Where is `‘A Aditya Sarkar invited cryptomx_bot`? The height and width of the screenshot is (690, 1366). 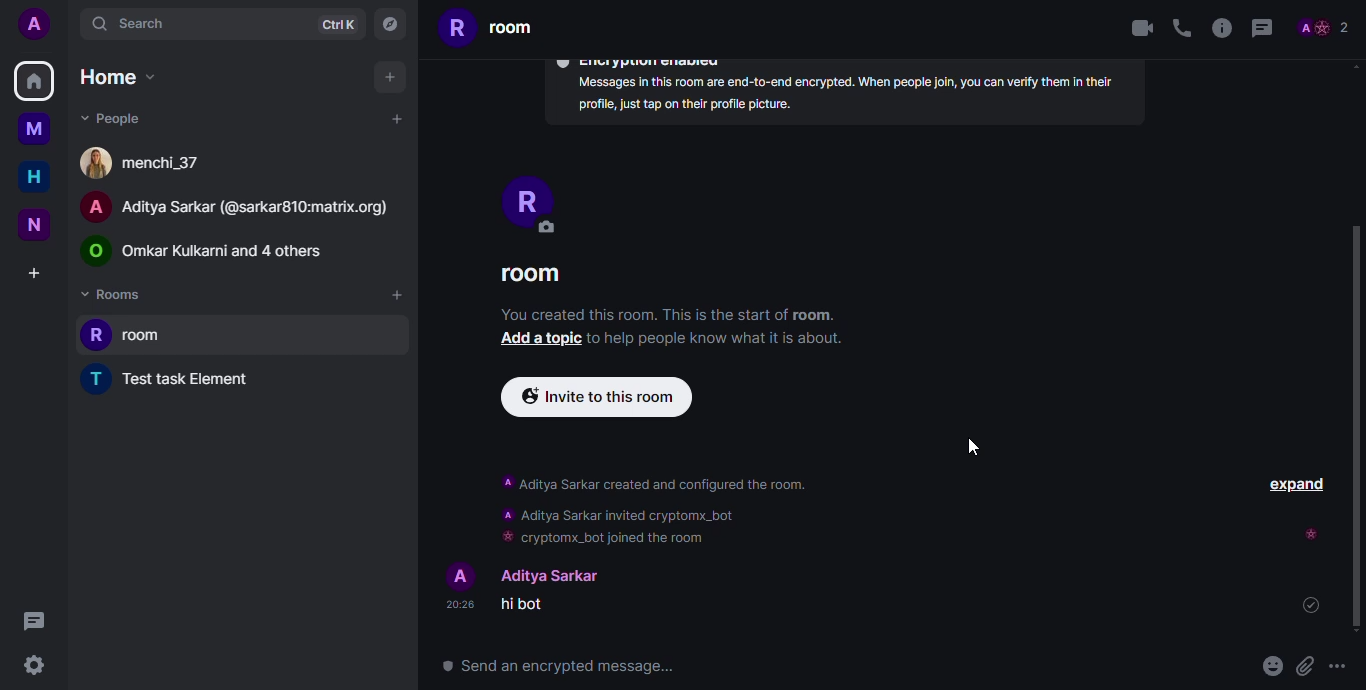 ‘A Aditya Sarkar invited cryptomx_bot is located at coordinates (622, 515).